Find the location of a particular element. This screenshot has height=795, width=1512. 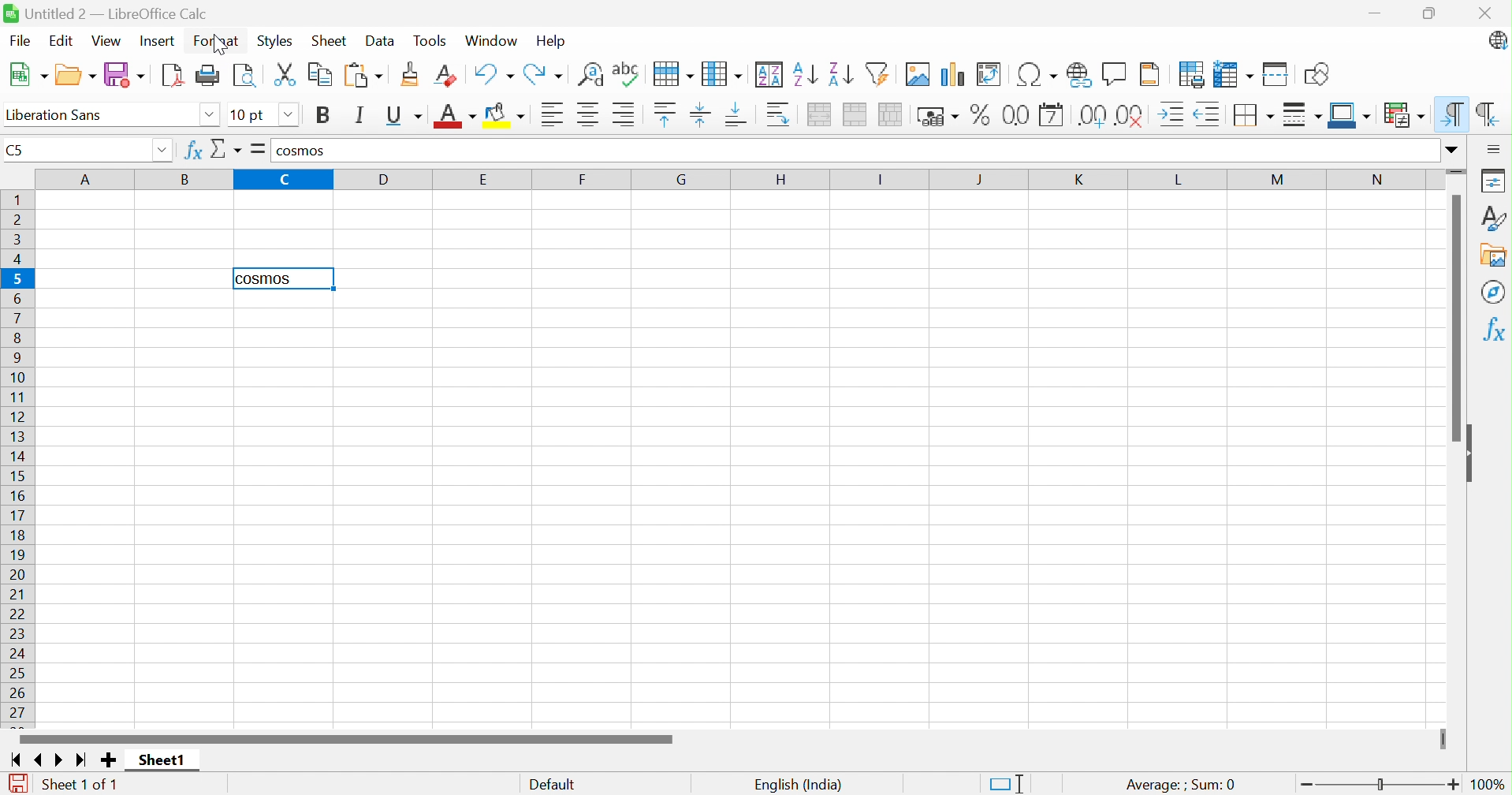

Expand formula bar is located at coordinates (1455, 150).